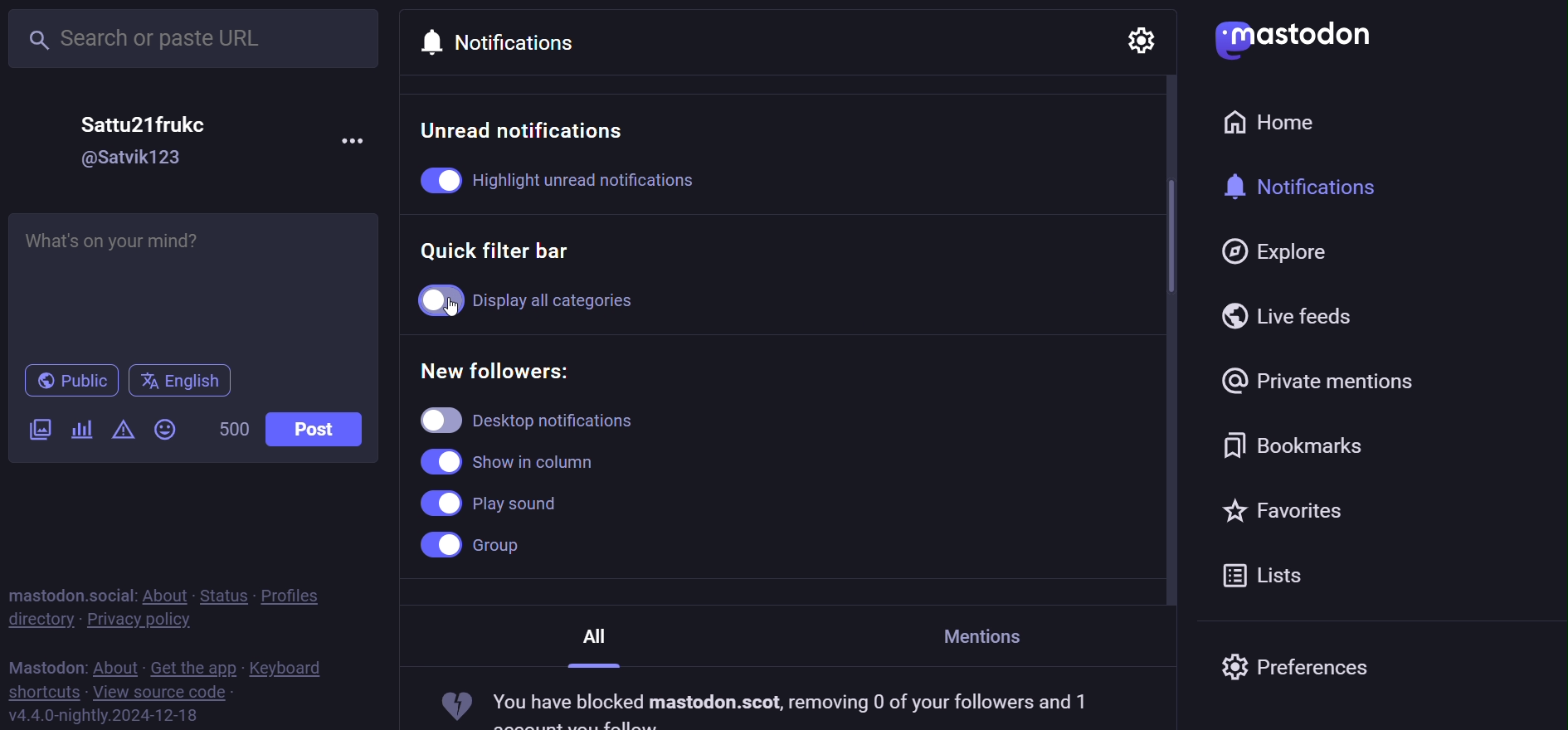  I want to click on 500, so click(231, 427).